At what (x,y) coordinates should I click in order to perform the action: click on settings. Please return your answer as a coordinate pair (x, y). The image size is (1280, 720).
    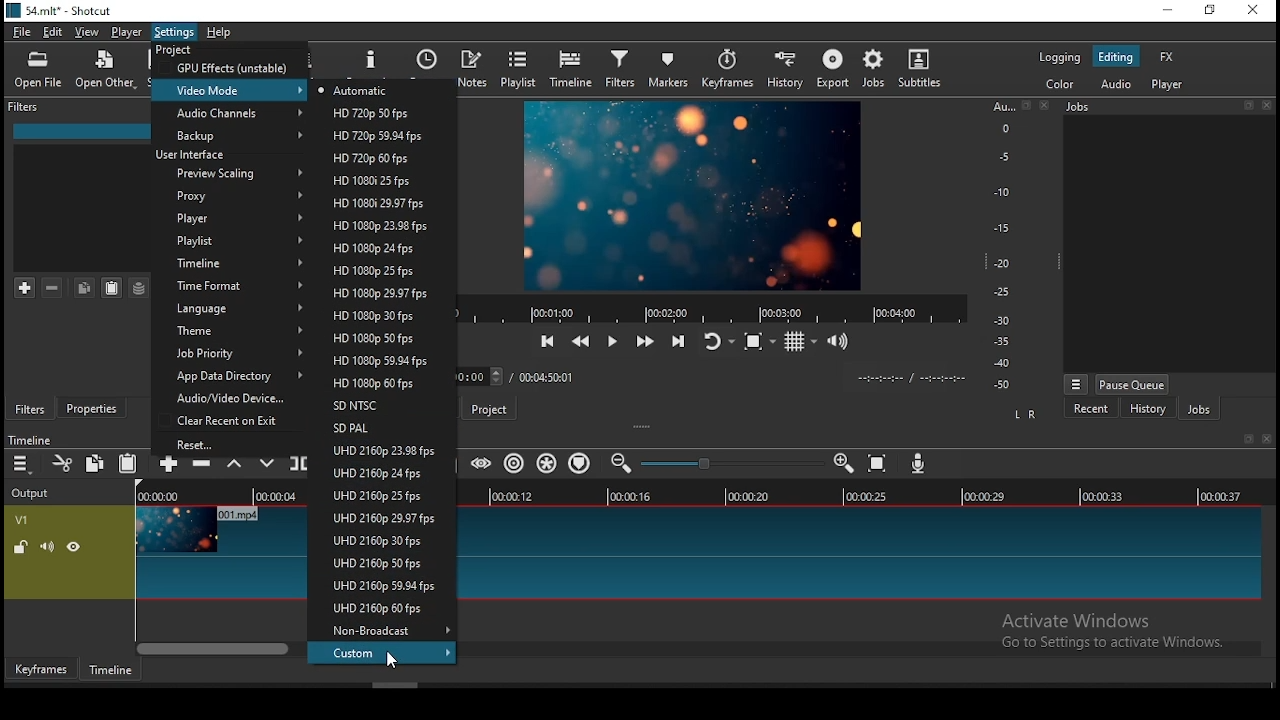
    Looking at the image, I should click on (175, 32).